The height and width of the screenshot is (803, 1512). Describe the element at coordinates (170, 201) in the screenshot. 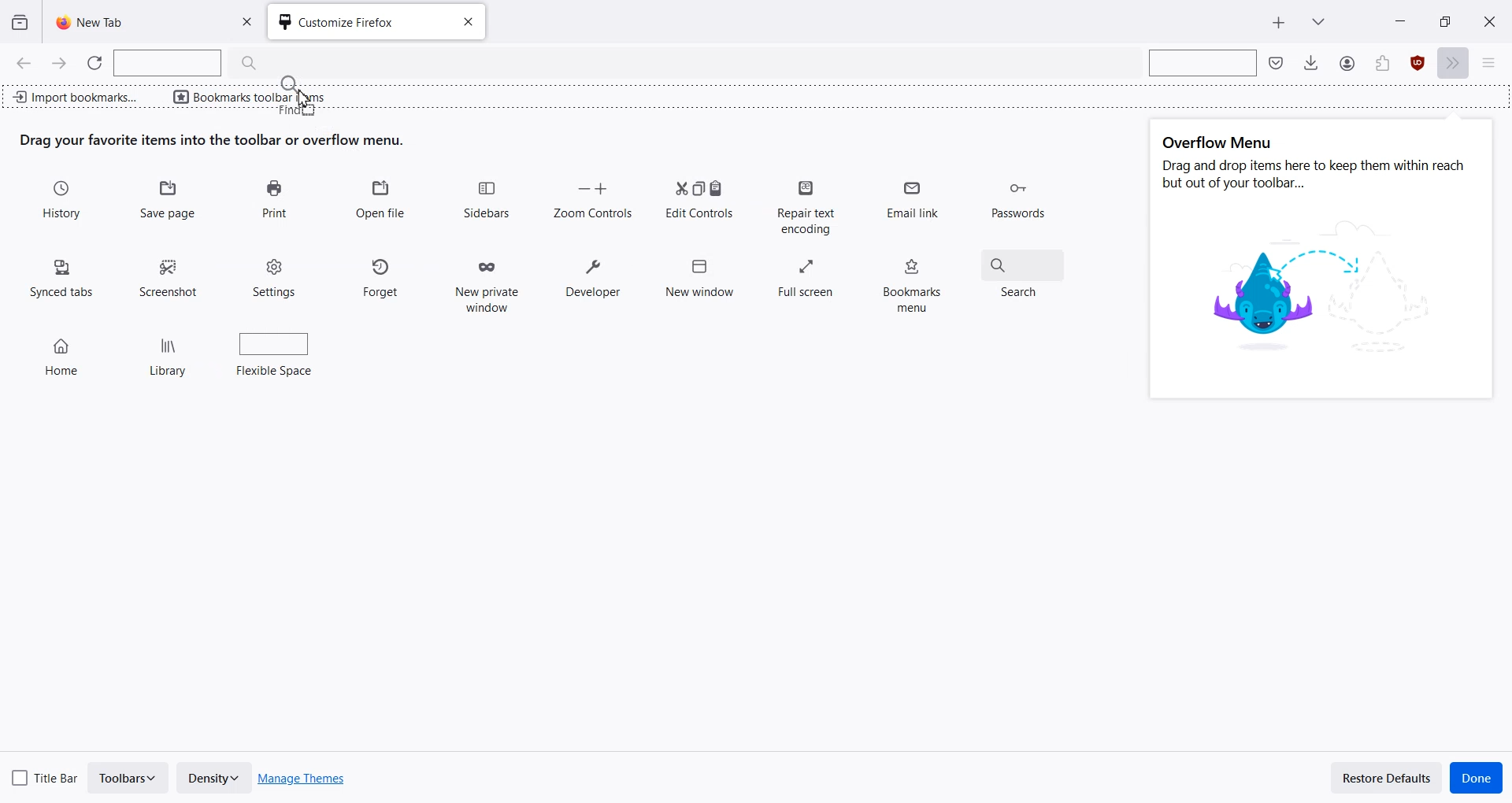

I see `Save Page` at that location.